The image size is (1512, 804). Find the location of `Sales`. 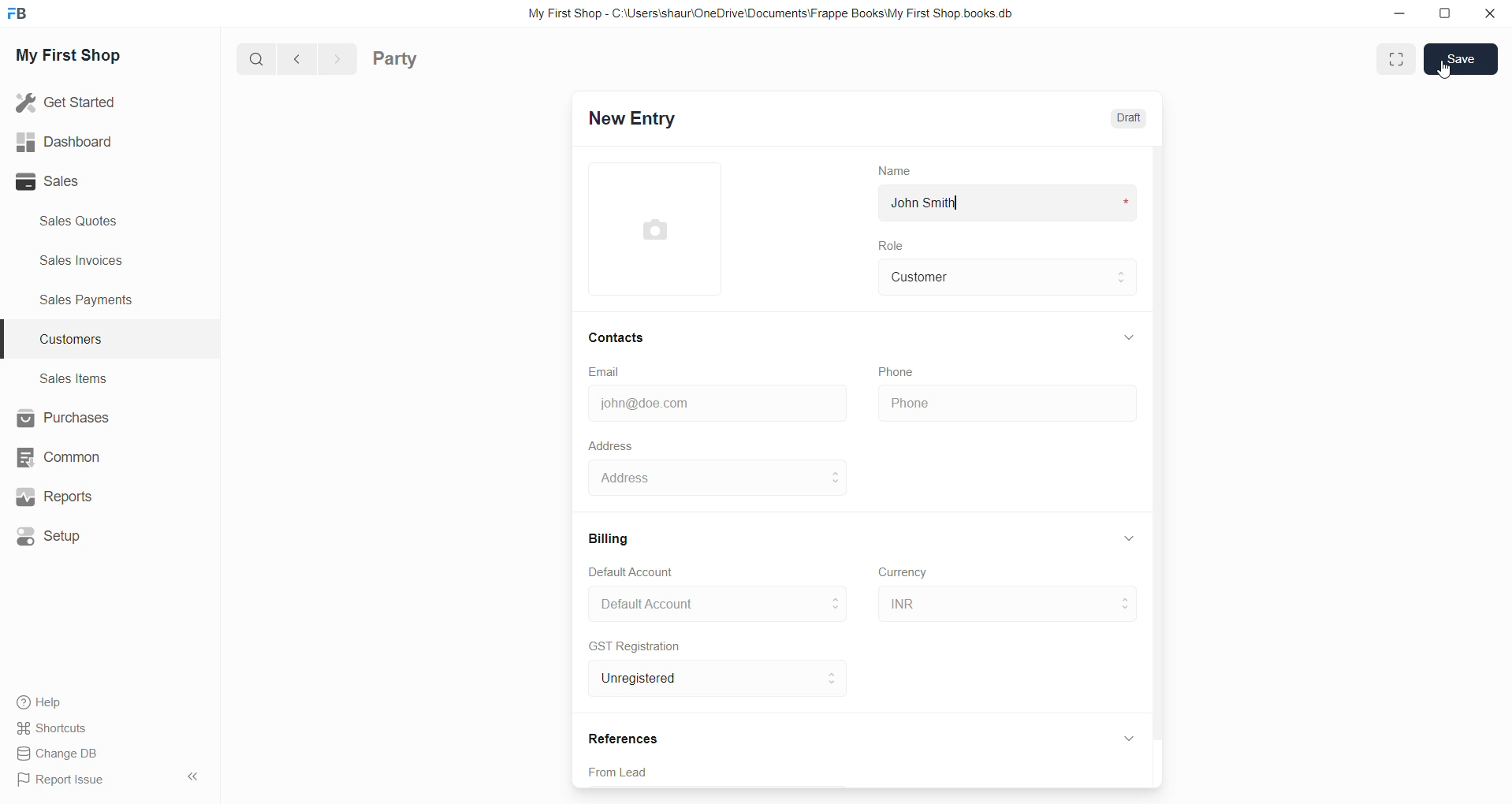

Sales is located at coordinates (66, 183).